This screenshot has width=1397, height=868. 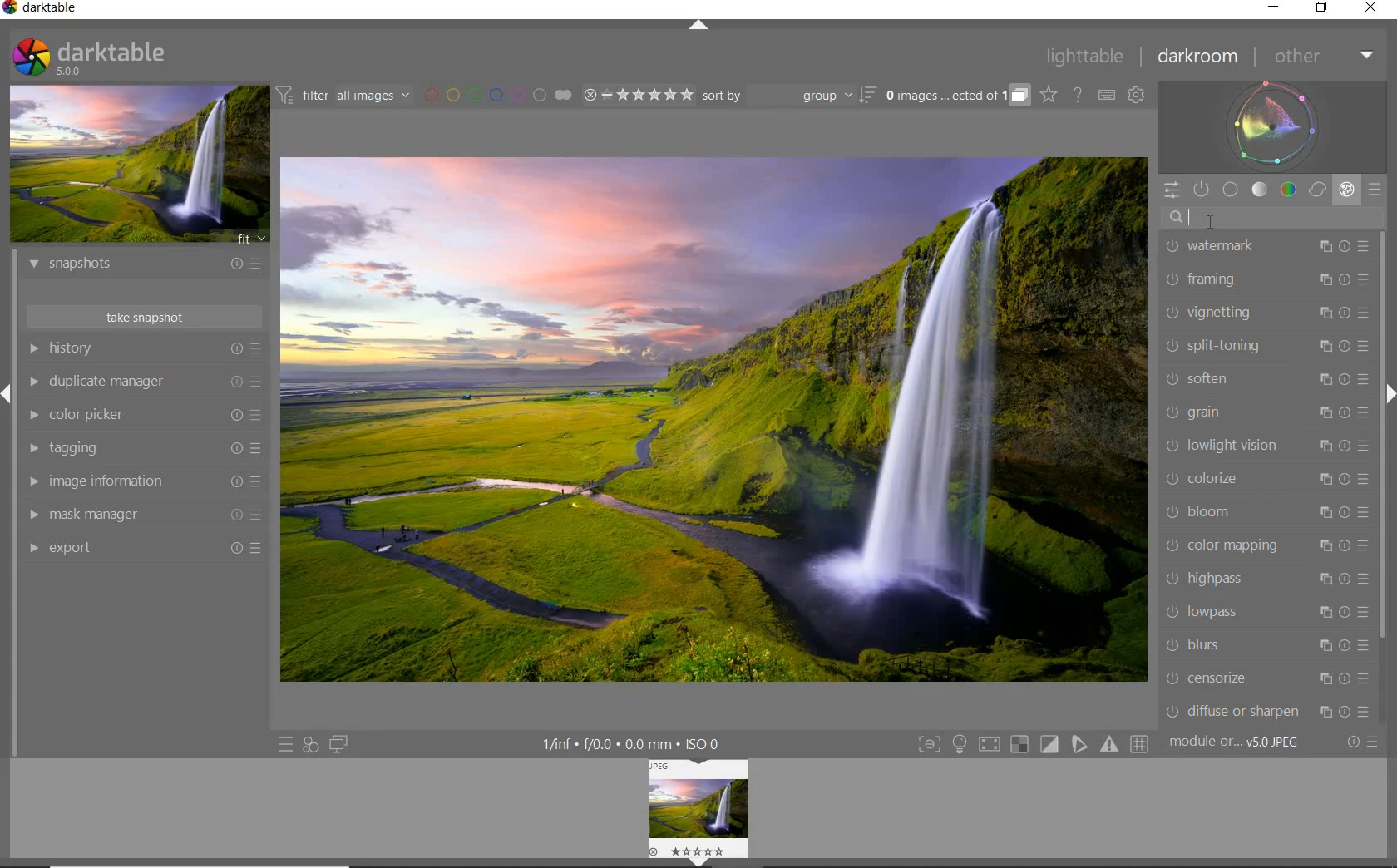 I want to click on vignetting, so click(x=1268, y=313).